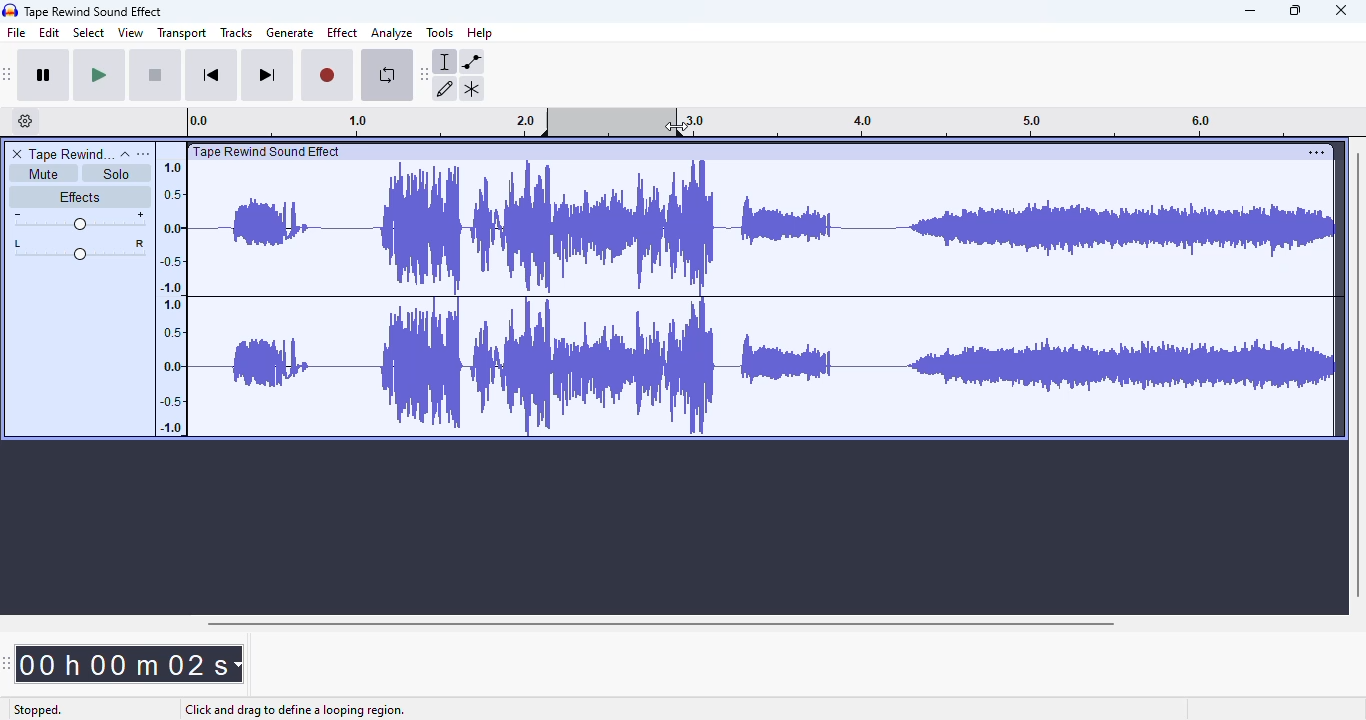 The image size is (1366, 720). I want to click on pause, so click(46, 75).